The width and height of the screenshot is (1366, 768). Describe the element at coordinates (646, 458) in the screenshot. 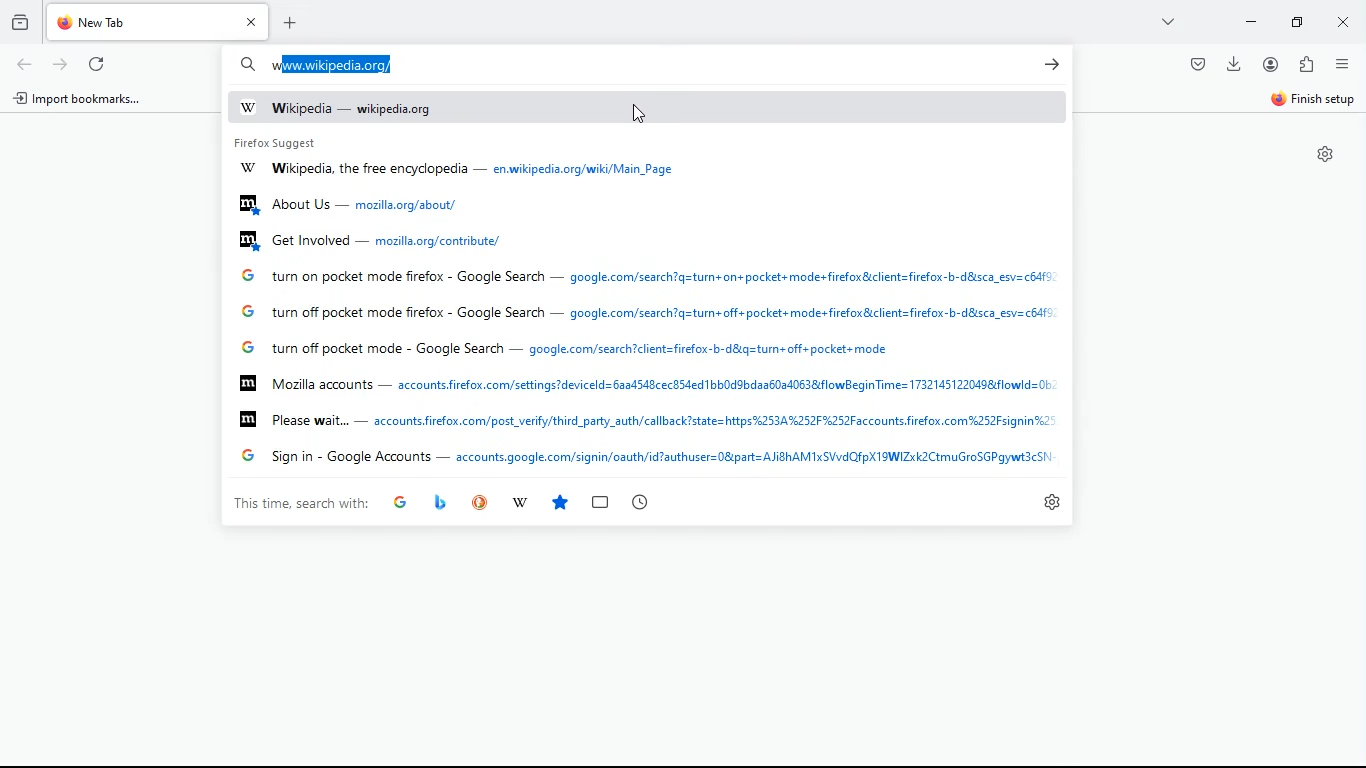

I see `firefox suggestions` at that location.